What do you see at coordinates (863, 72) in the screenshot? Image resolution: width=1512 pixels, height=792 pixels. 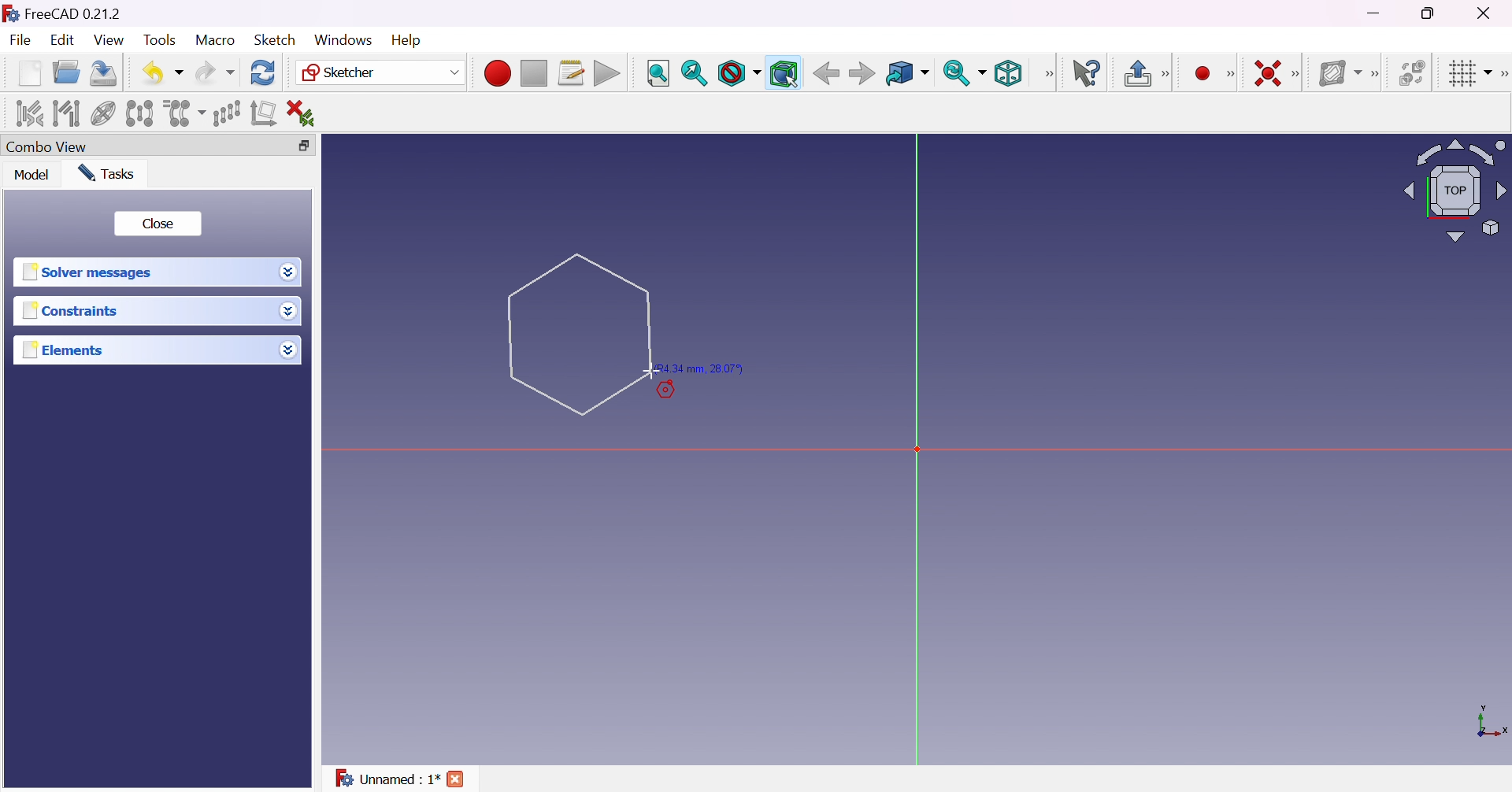 I see `Forward` at bounding box center [863, 72].